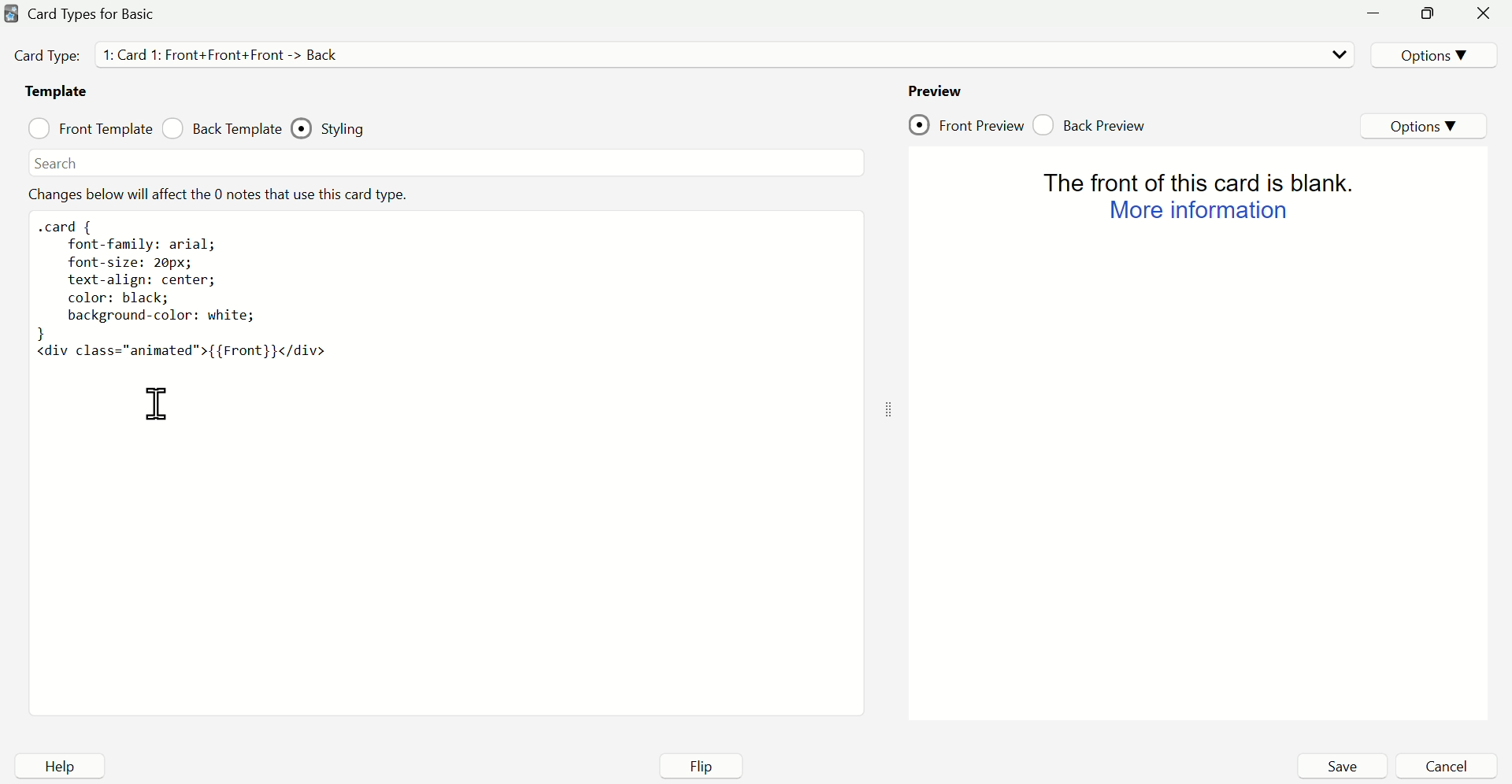 The width and height of the screenshot is (1512, 784). Describe the element at coordinates (1428, 15) in the screenshot. I see `minimize` at that location.